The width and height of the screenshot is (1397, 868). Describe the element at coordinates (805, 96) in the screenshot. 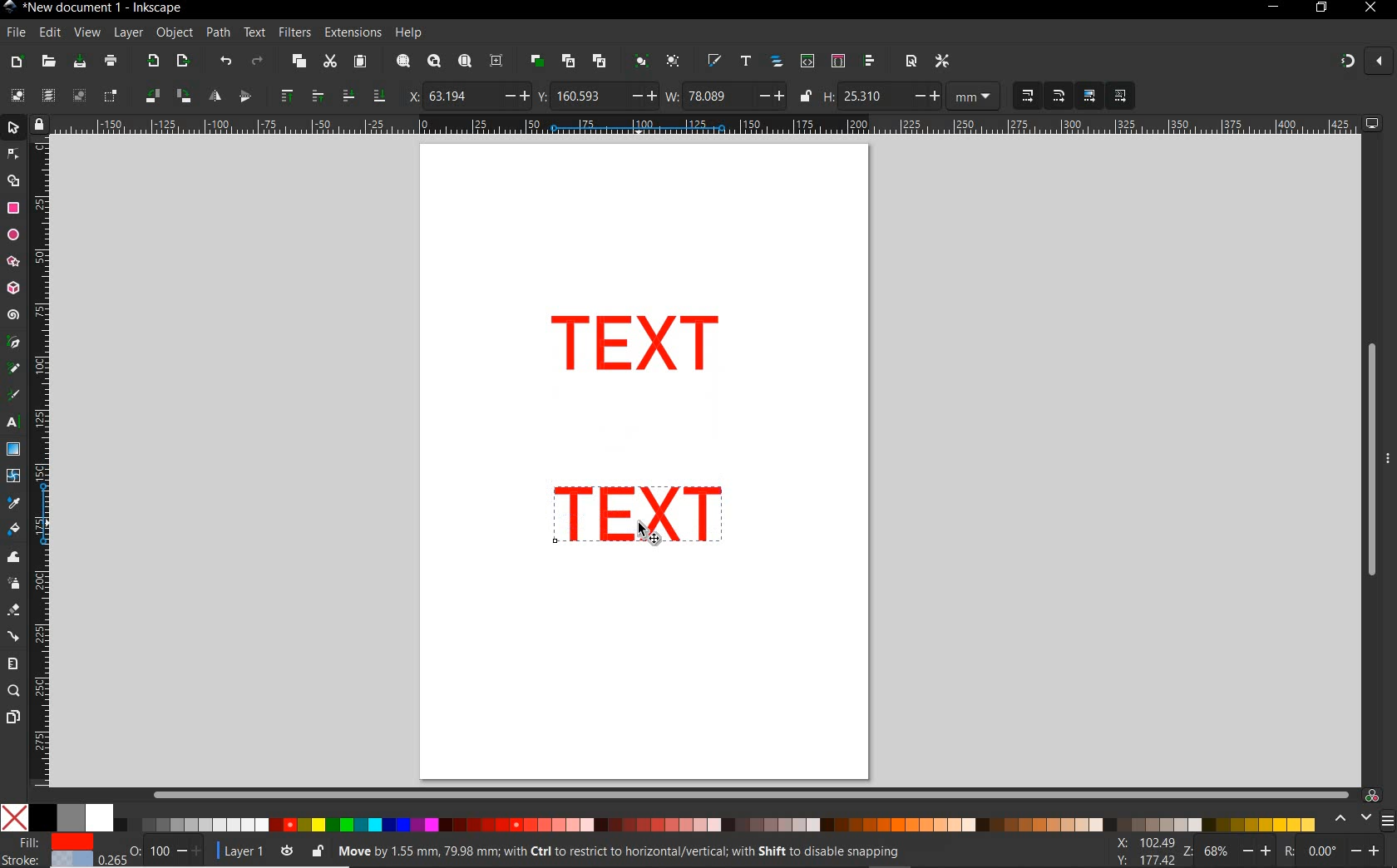

I see `lock/unlock to change width or height` at that location.